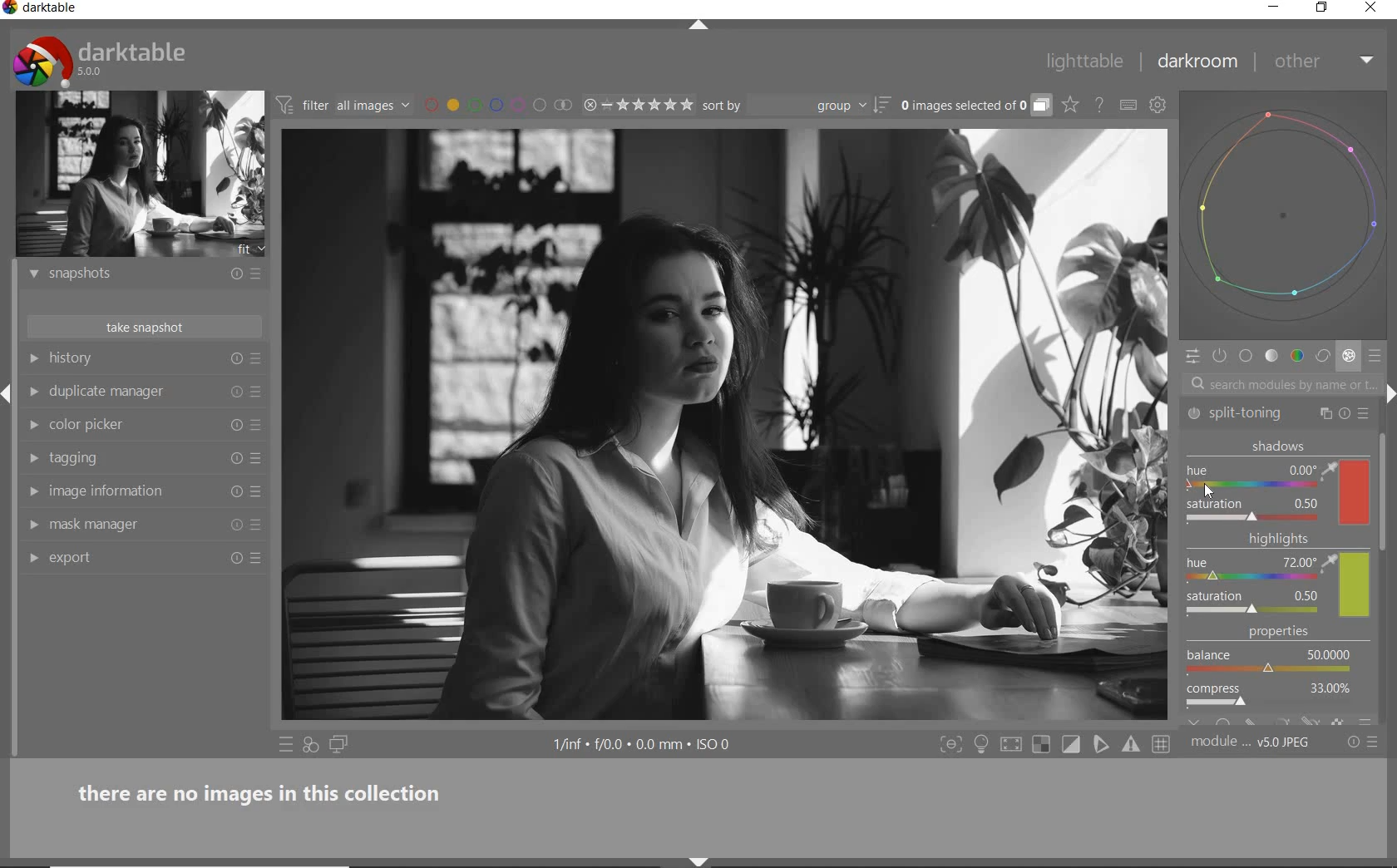 Image resolution: width=1397 pixels, height=868 pixels. I want to click on set keyboard shortcuts, so click(1128, 105).